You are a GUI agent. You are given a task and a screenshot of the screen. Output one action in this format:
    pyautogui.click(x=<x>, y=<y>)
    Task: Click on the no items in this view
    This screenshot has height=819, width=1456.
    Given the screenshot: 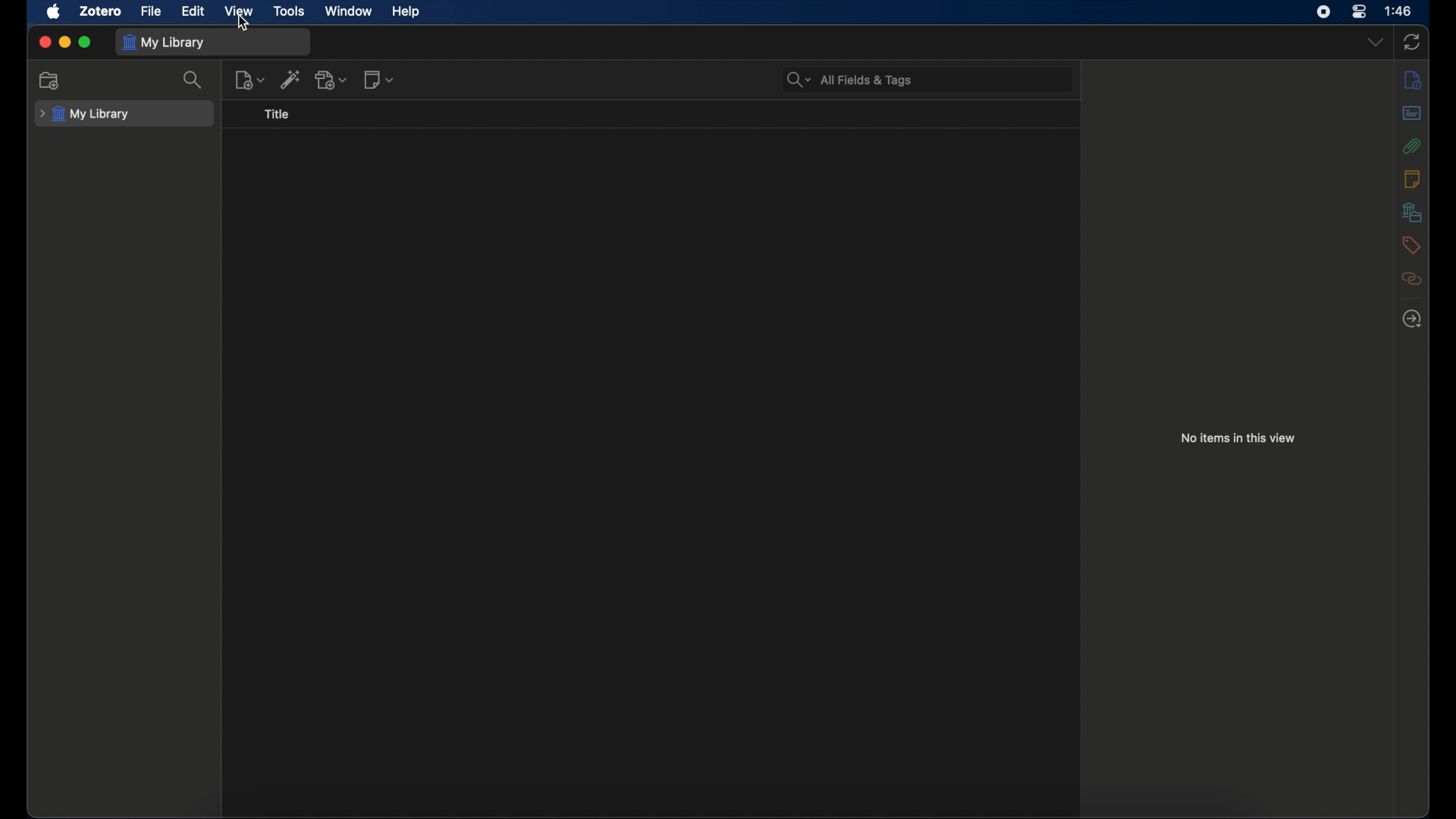 What is the action you would take?
    pyautogui.click(x=1238, y=438)
    